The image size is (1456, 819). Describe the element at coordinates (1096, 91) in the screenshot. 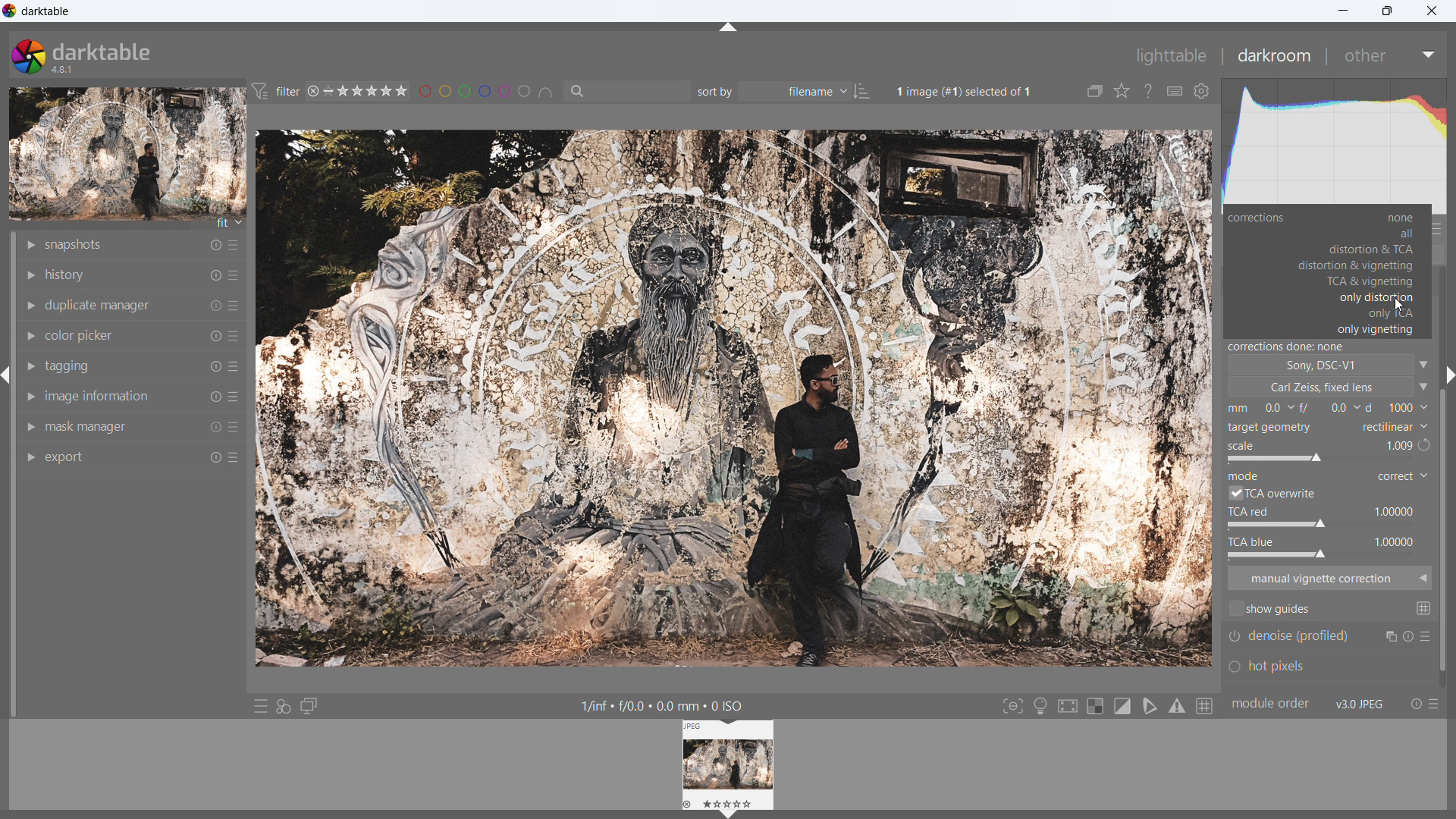

I see `collapse grouped images` at that location.